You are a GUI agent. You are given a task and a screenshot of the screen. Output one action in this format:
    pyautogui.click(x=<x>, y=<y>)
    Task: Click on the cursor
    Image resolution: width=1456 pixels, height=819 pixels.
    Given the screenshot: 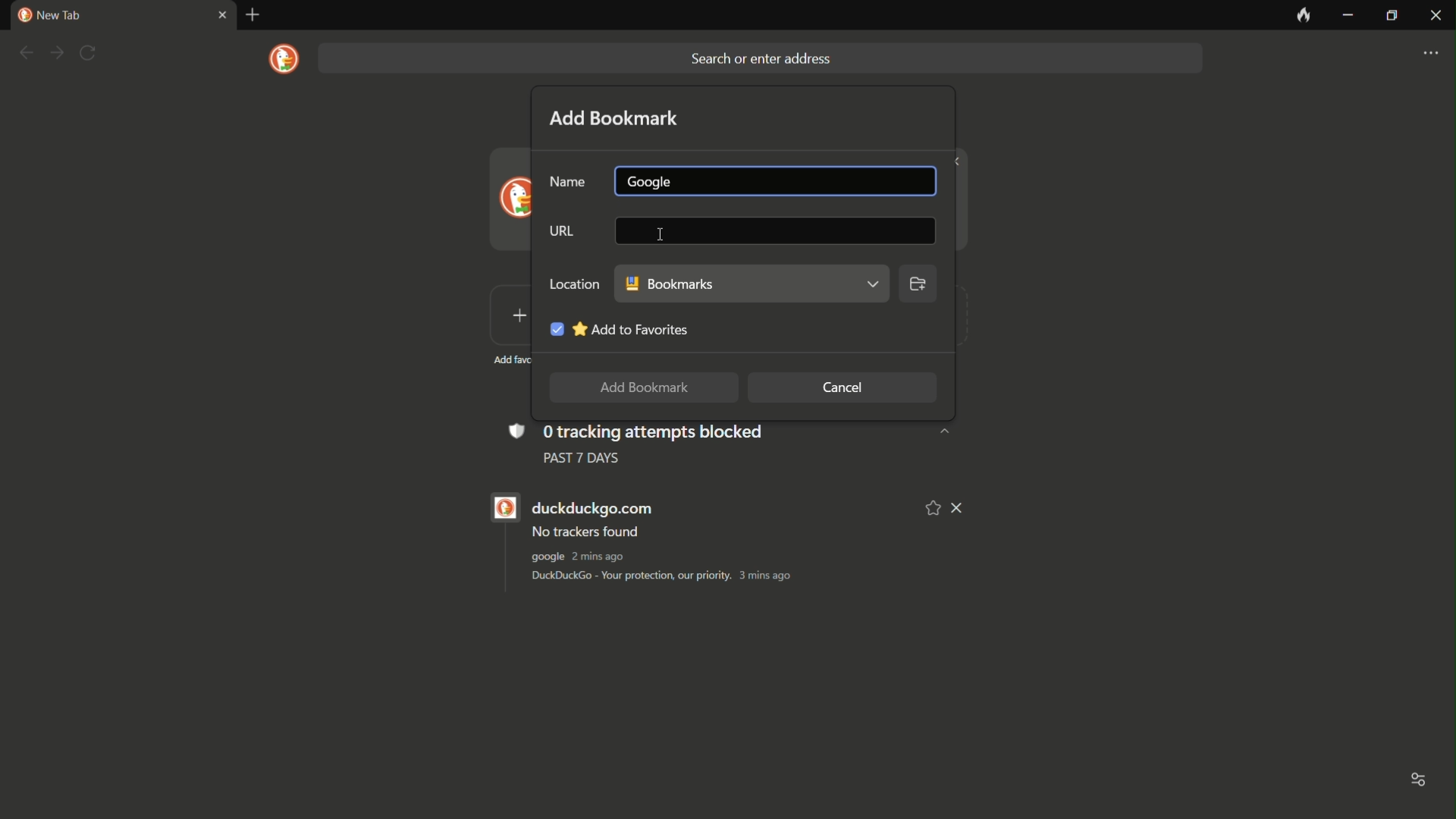 What is the action you would take?
    pyautogui.click(x=662, y=235)
    